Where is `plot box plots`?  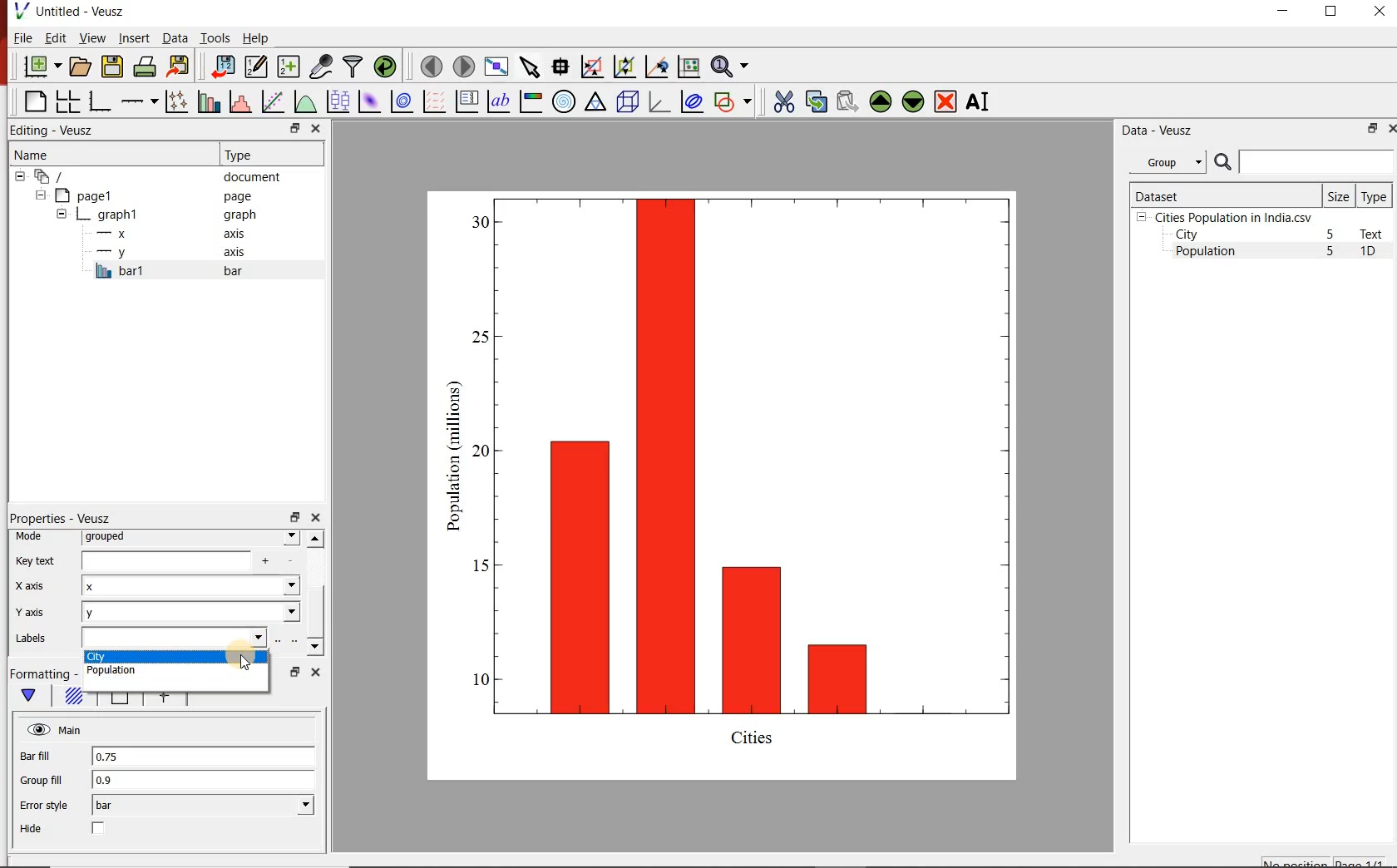
plot box plots is located at coordinates (337, 101).